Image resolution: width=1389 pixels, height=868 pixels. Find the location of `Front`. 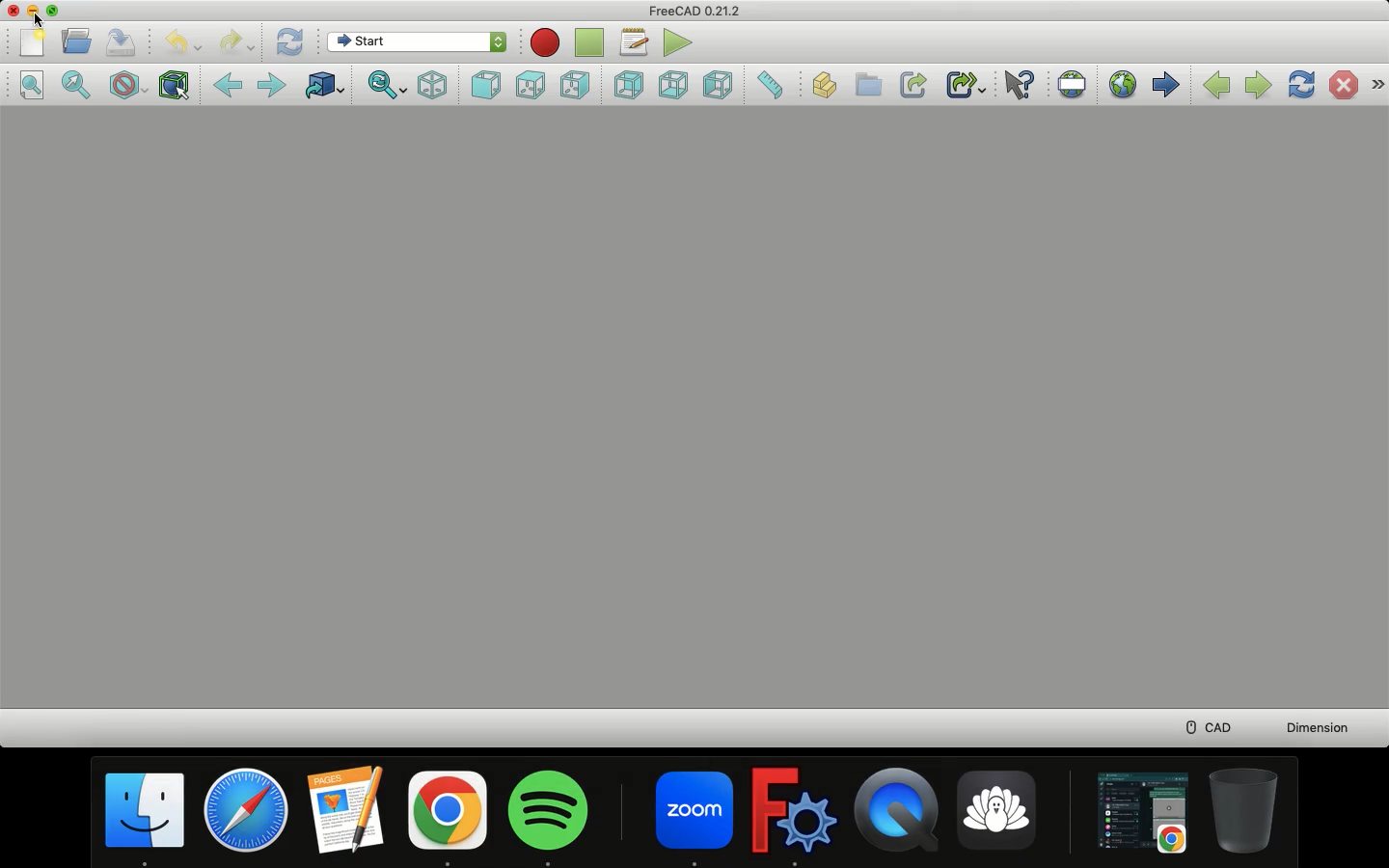

Front is located at coordinates (484, 82).